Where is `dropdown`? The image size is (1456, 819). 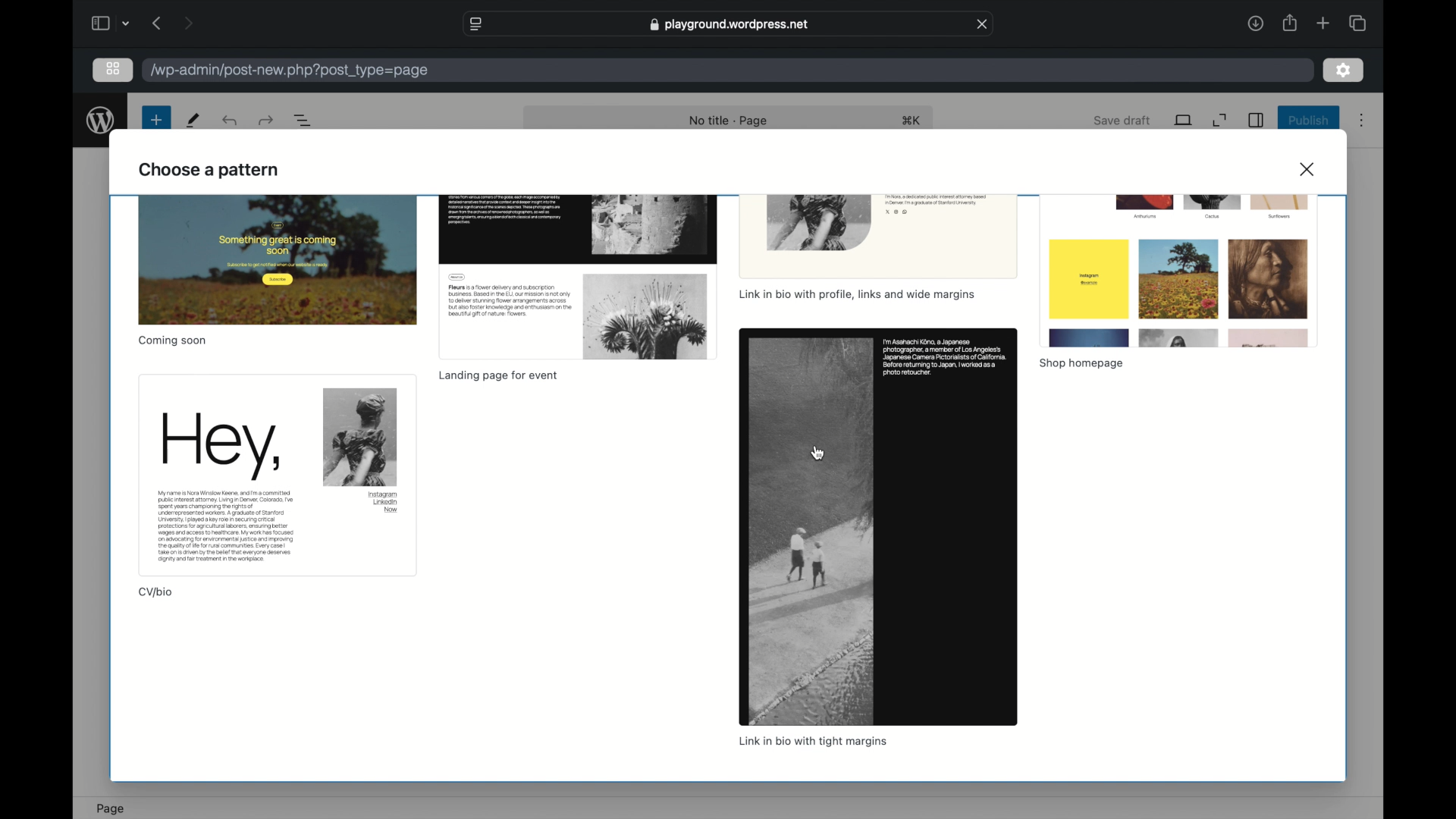
dropdown is located at coordinates (127, 24).